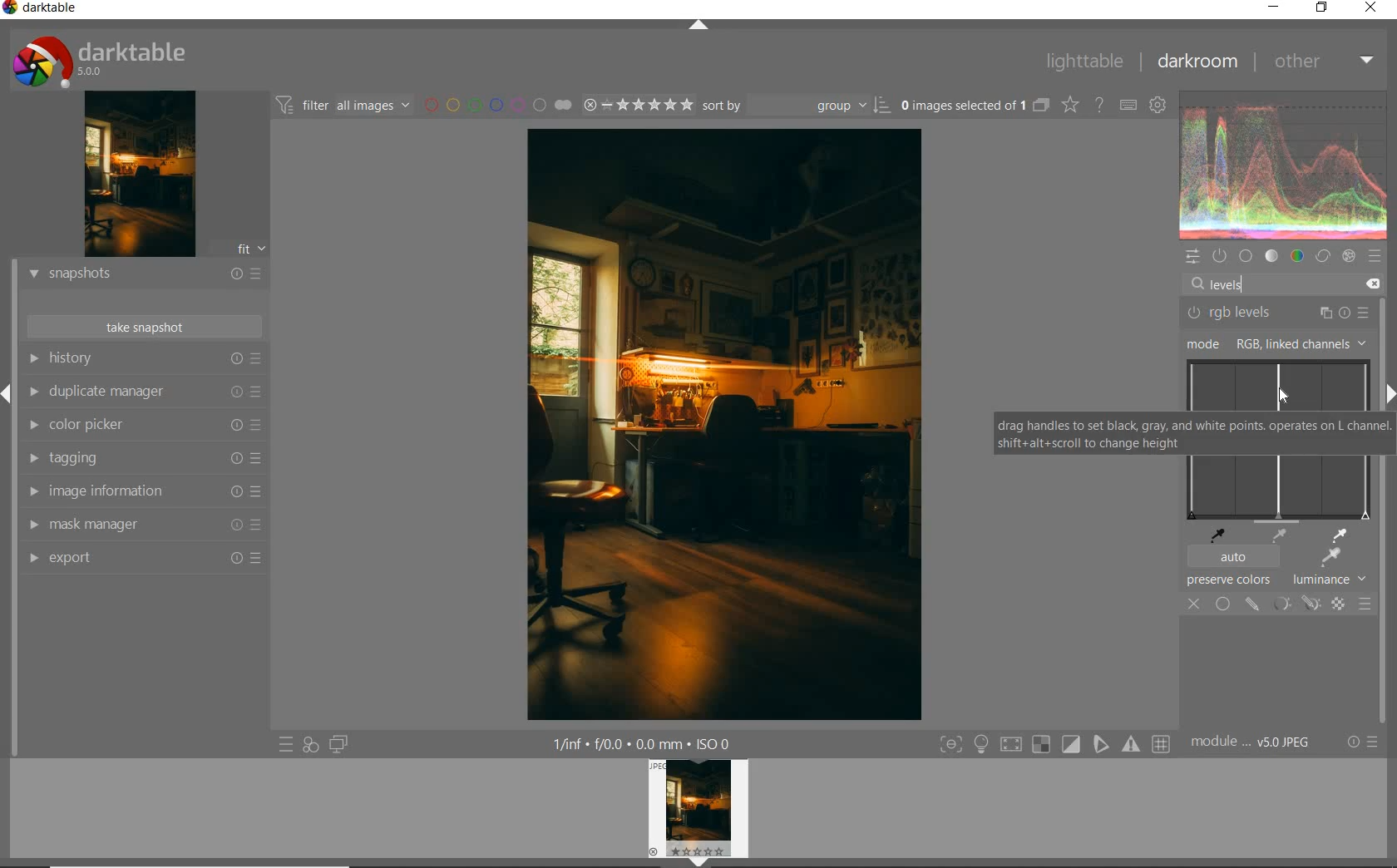  What do you see at coordinates (1284, 165) in the screenshot?
I see `waveform` at bounding box center [1284, 165].